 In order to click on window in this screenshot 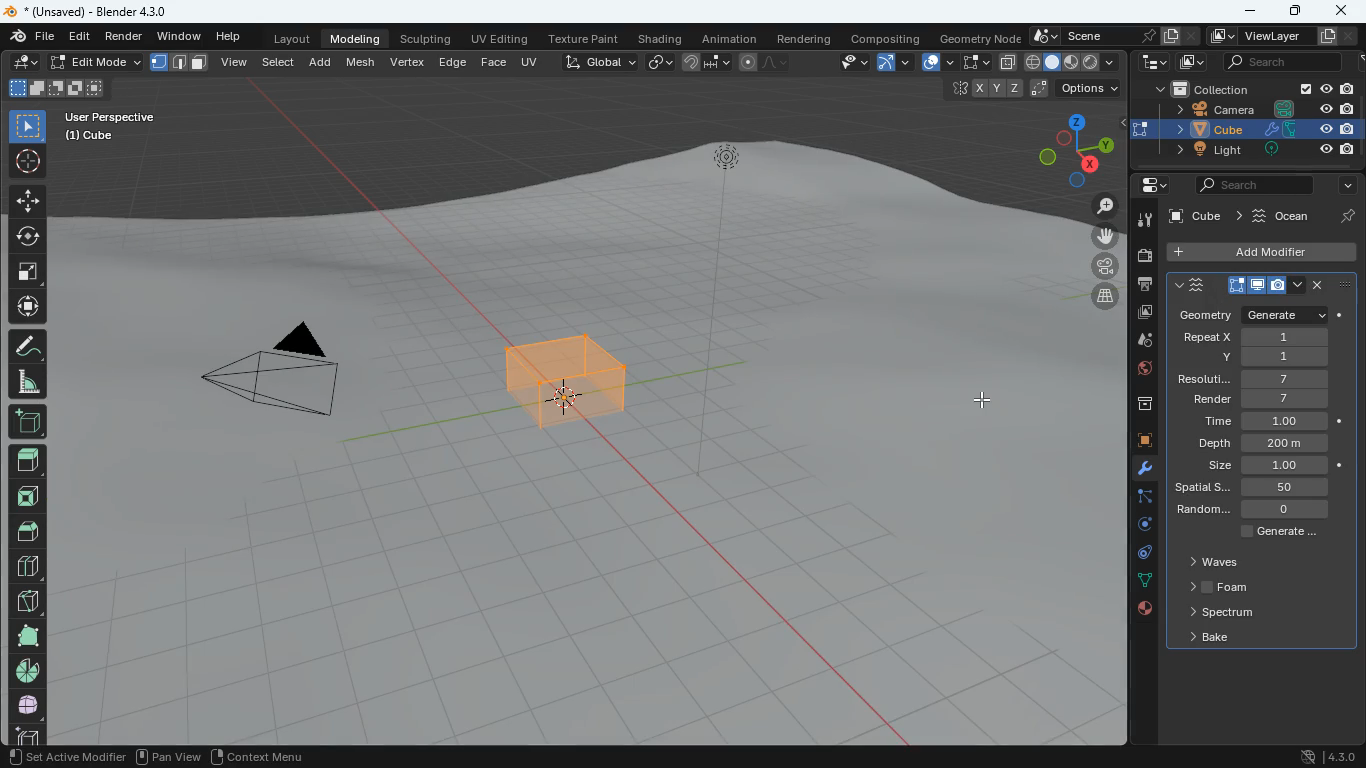, I will do `click(181, 34)`.